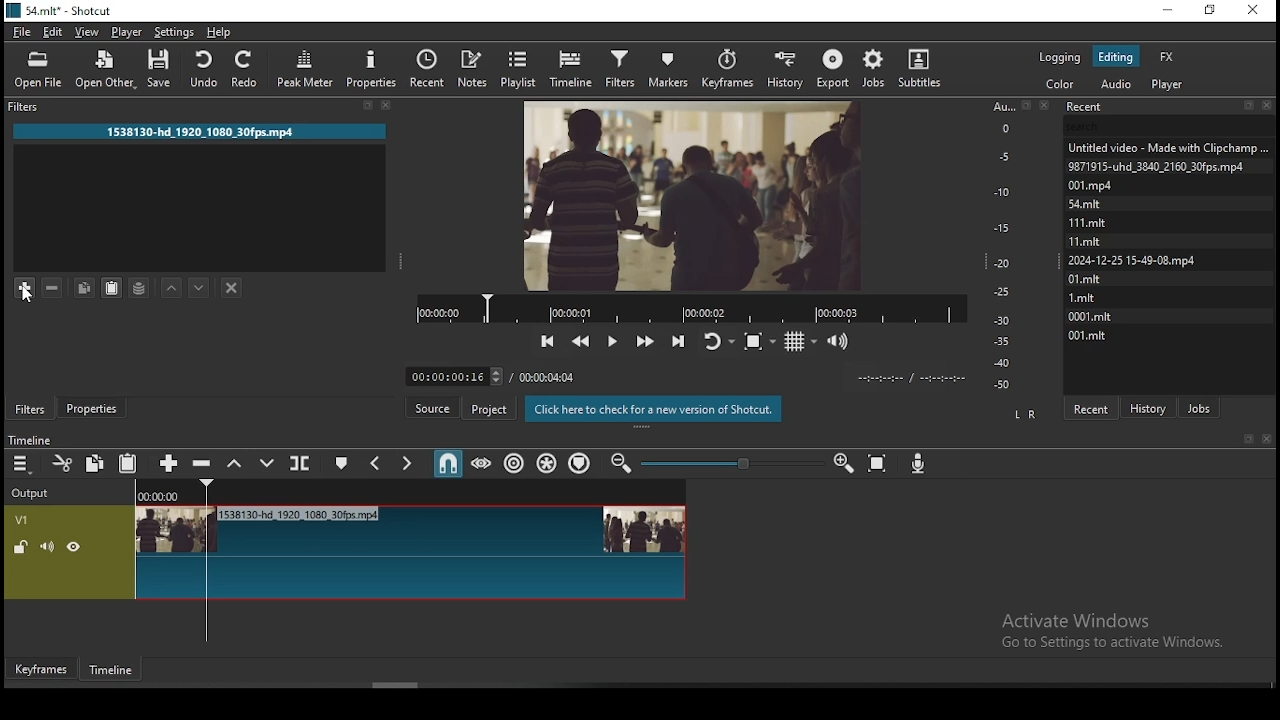 The width and height of the screenshot is (1280, 720). What do you see at coordinates (162, 68) in the screenshot?
I see `save` at bounding box center [162, 68].